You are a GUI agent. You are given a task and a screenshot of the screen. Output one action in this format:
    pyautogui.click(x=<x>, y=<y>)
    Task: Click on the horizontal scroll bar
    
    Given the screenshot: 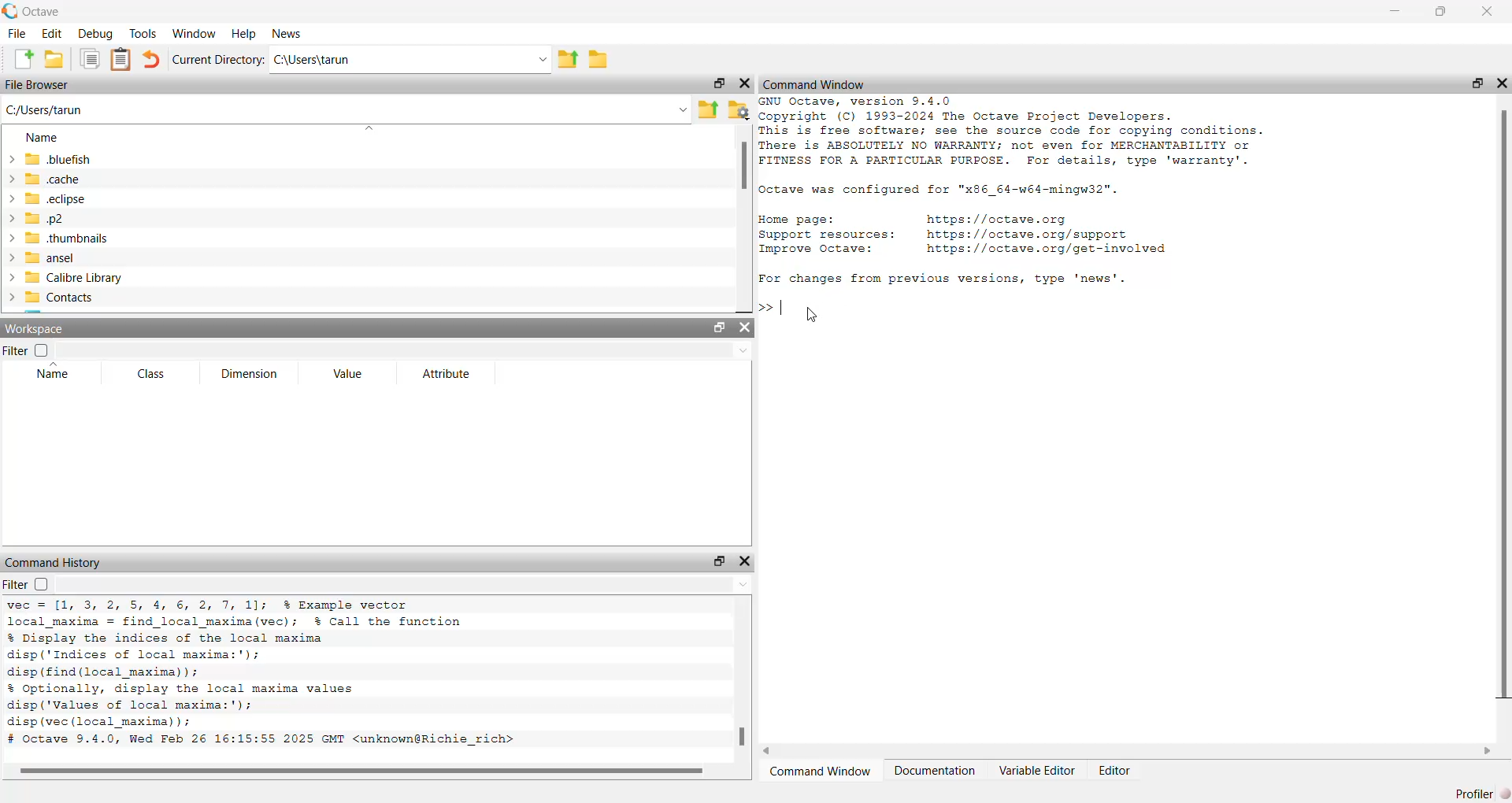 What is the action you would take?
    pyautogui.click(x=369, y=772)
    